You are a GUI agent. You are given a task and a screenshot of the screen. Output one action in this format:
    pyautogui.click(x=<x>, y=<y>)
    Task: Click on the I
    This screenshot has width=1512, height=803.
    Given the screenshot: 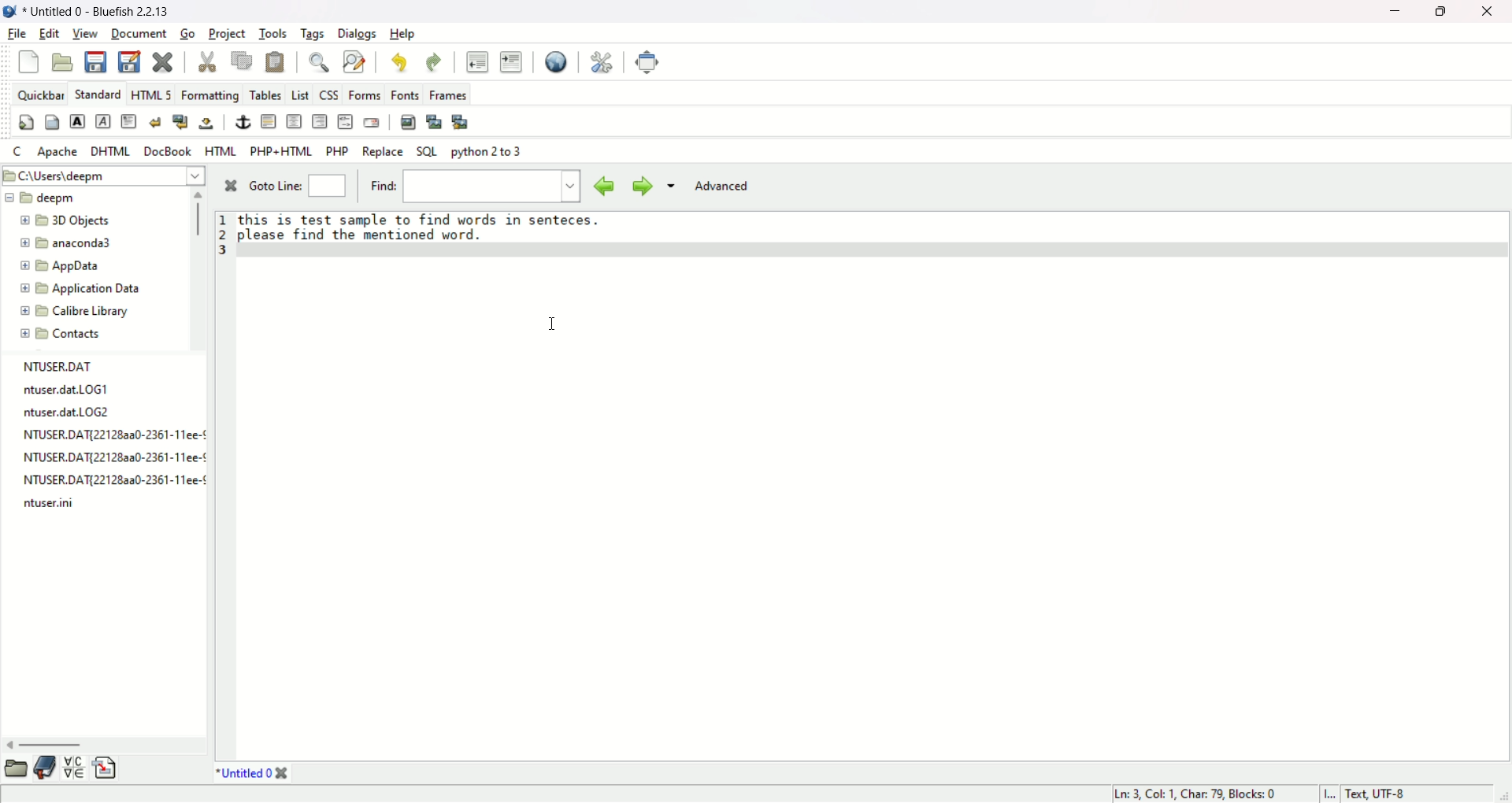 What is the action you would take?
    pyautogui.click(x=1329, y=796)
    